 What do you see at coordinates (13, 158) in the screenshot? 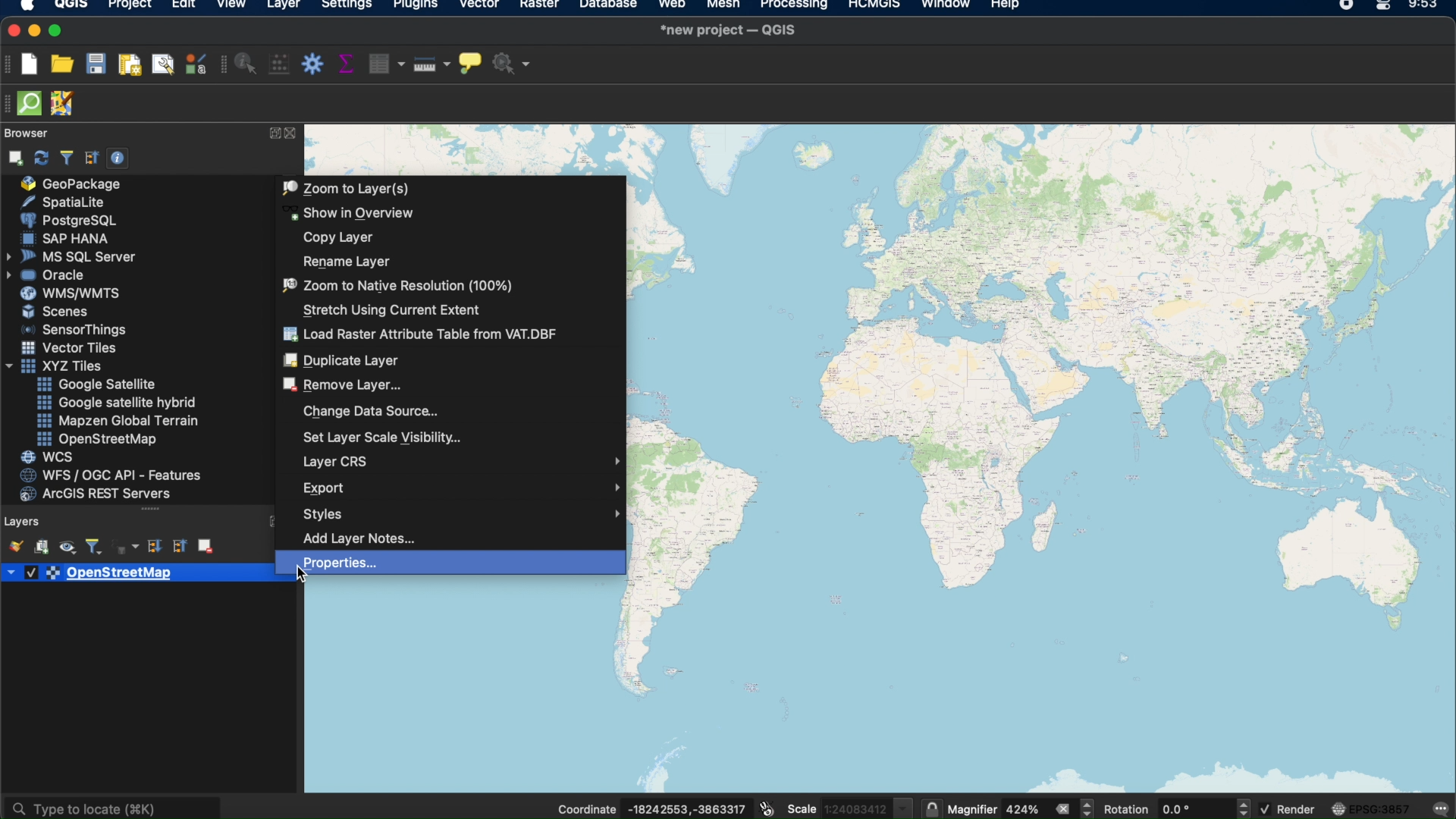
I see `add selected layers` at bounding box center [13, 158].